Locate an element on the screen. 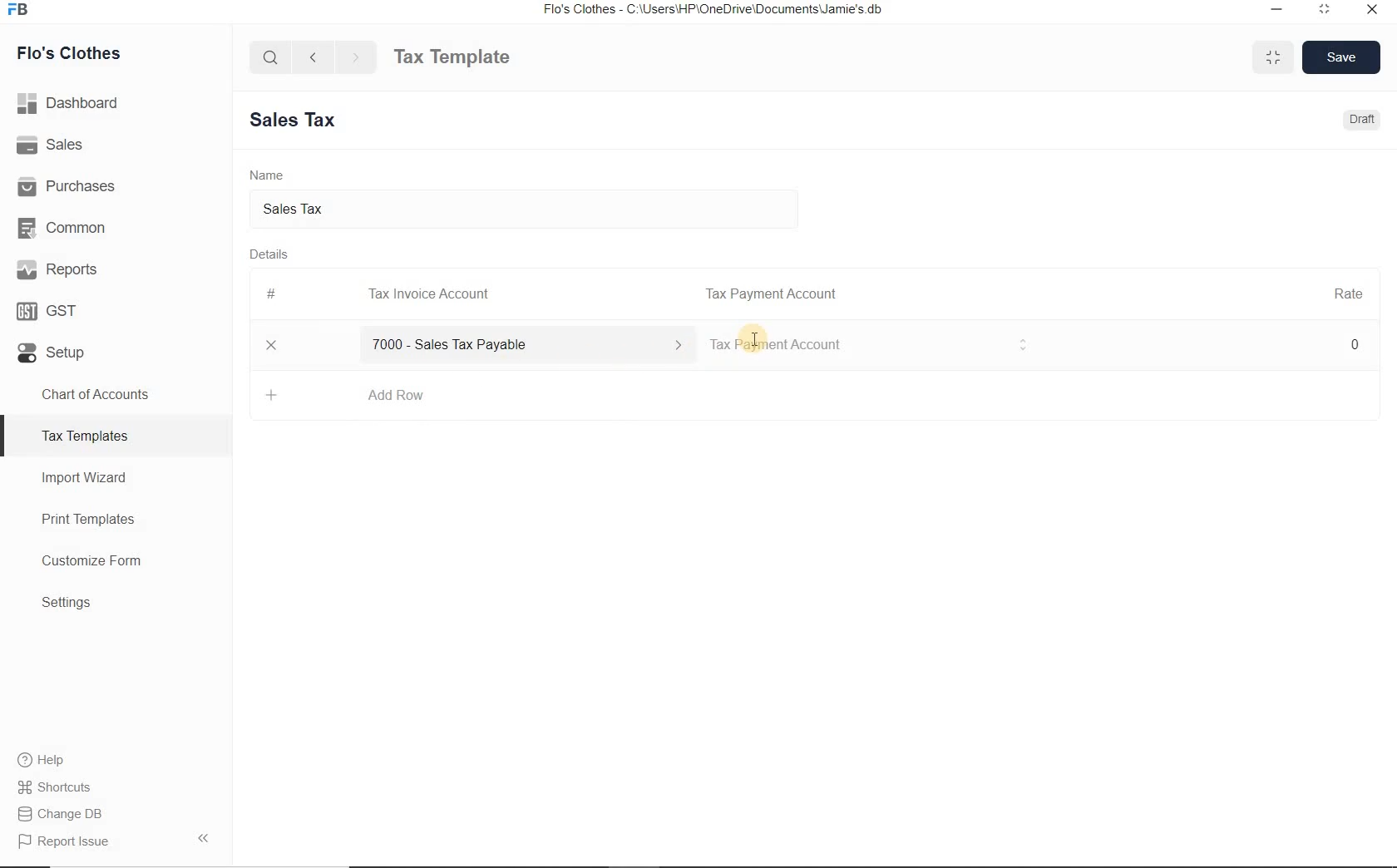 The width and height of the screenshot is (1397, 868). Close is located at coordinates (272, 345).